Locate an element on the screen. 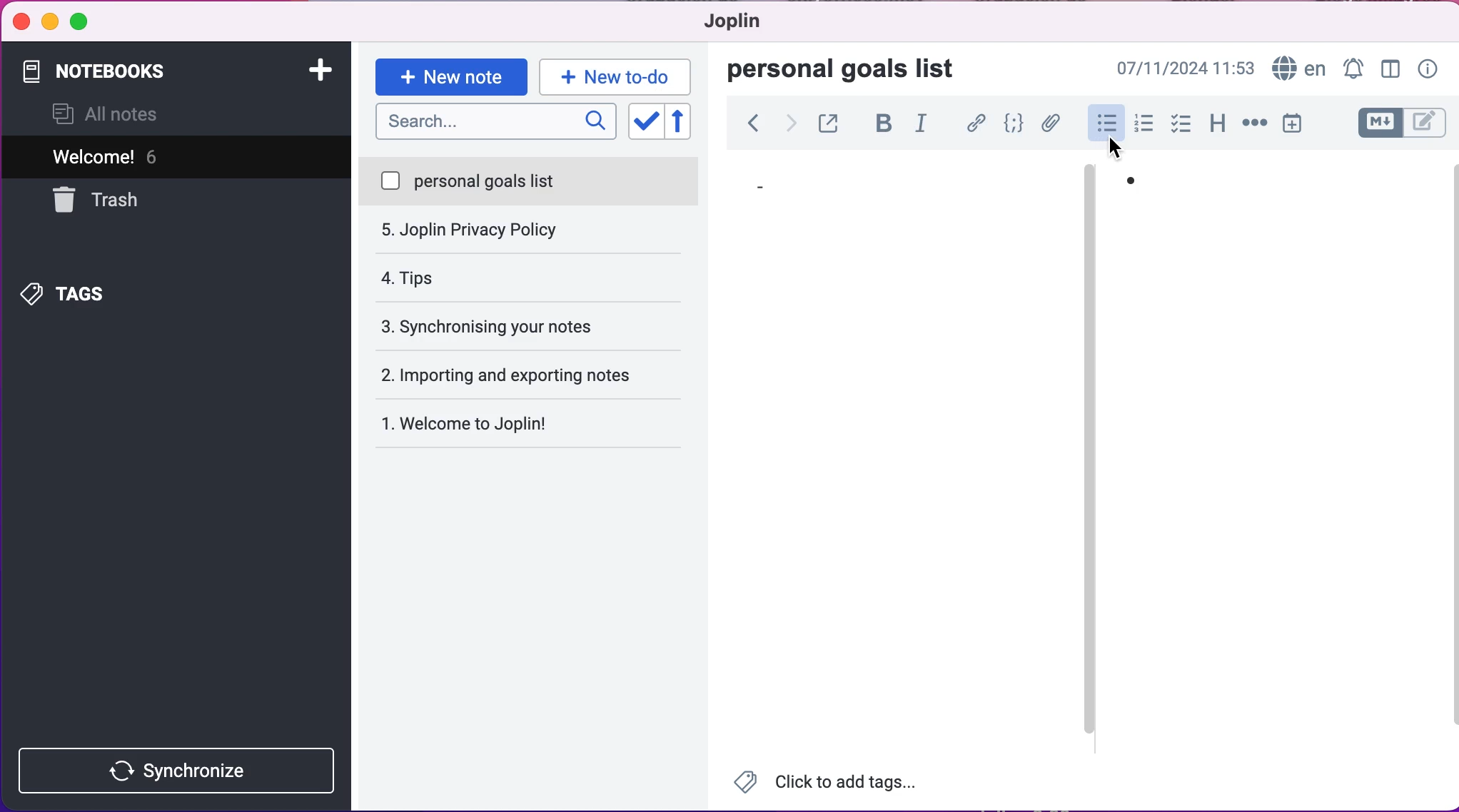 This screenshot has height=812, width=1459. welcome to joplin! is located at coordinates (495, 377).